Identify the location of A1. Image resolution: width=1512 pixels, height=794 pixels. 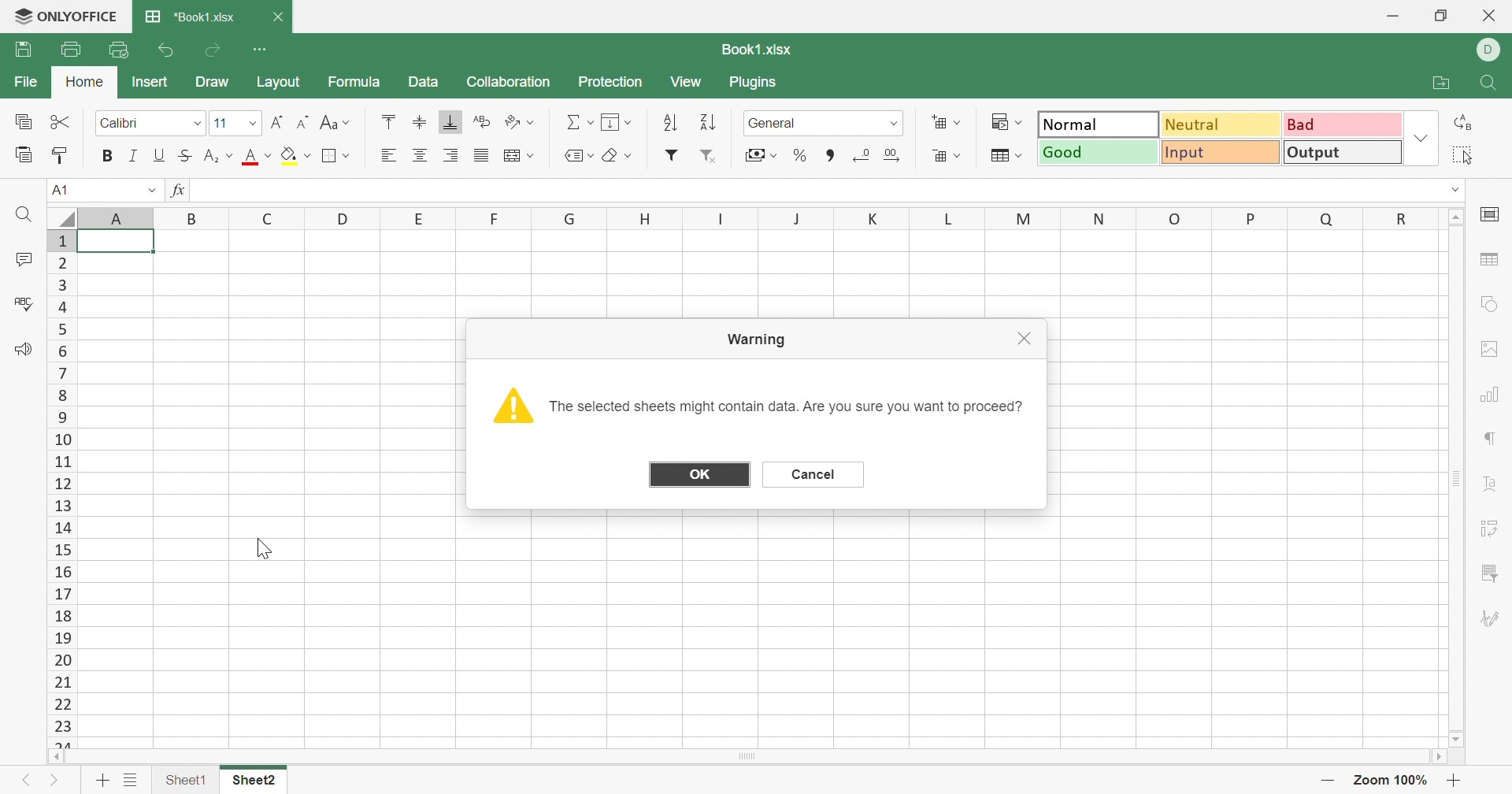
(65, 189).